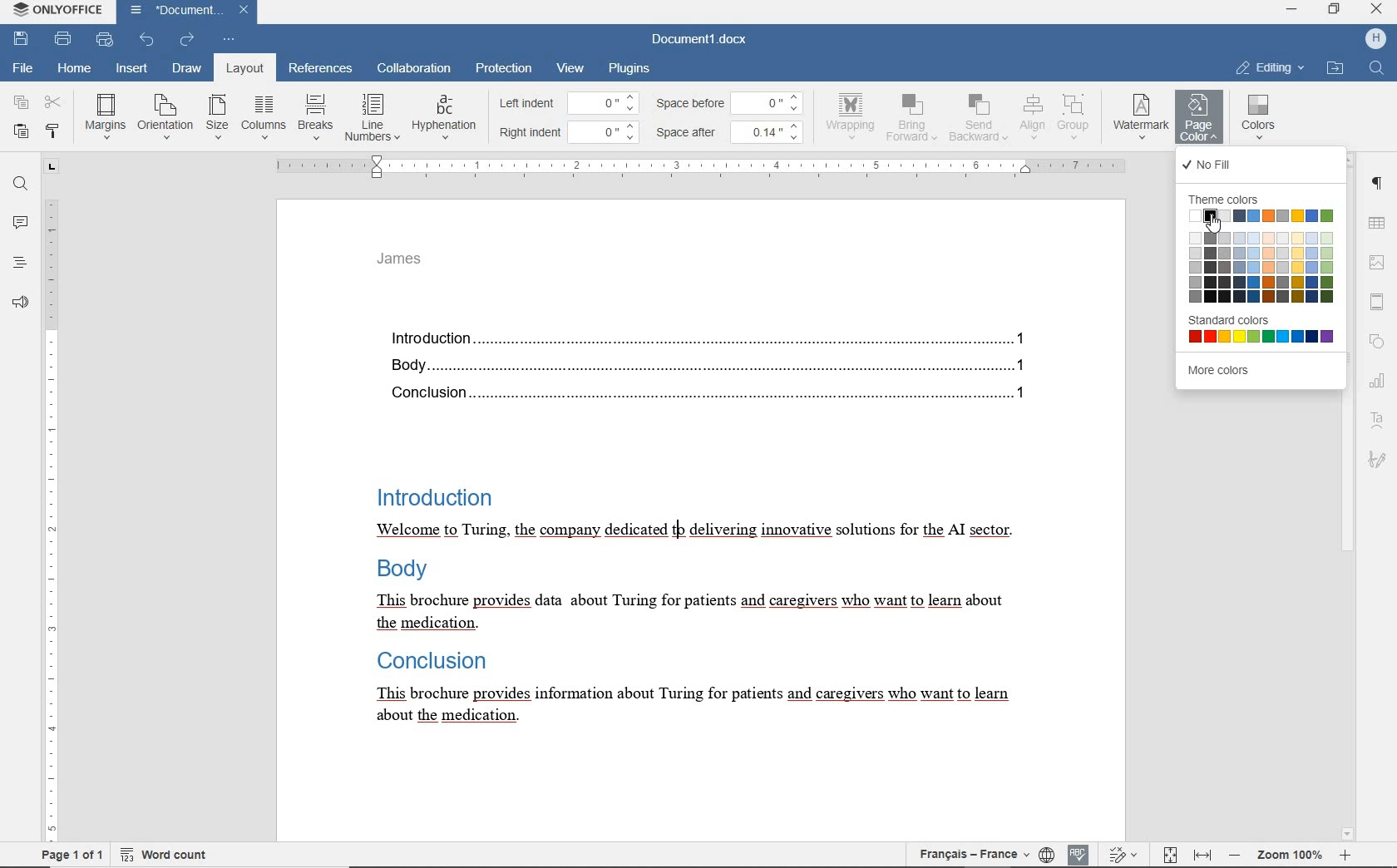 This screenshot has height=868, width=1397. Describe the element at coordinates (65, 39) in the screenshot. I see `print` at that location.